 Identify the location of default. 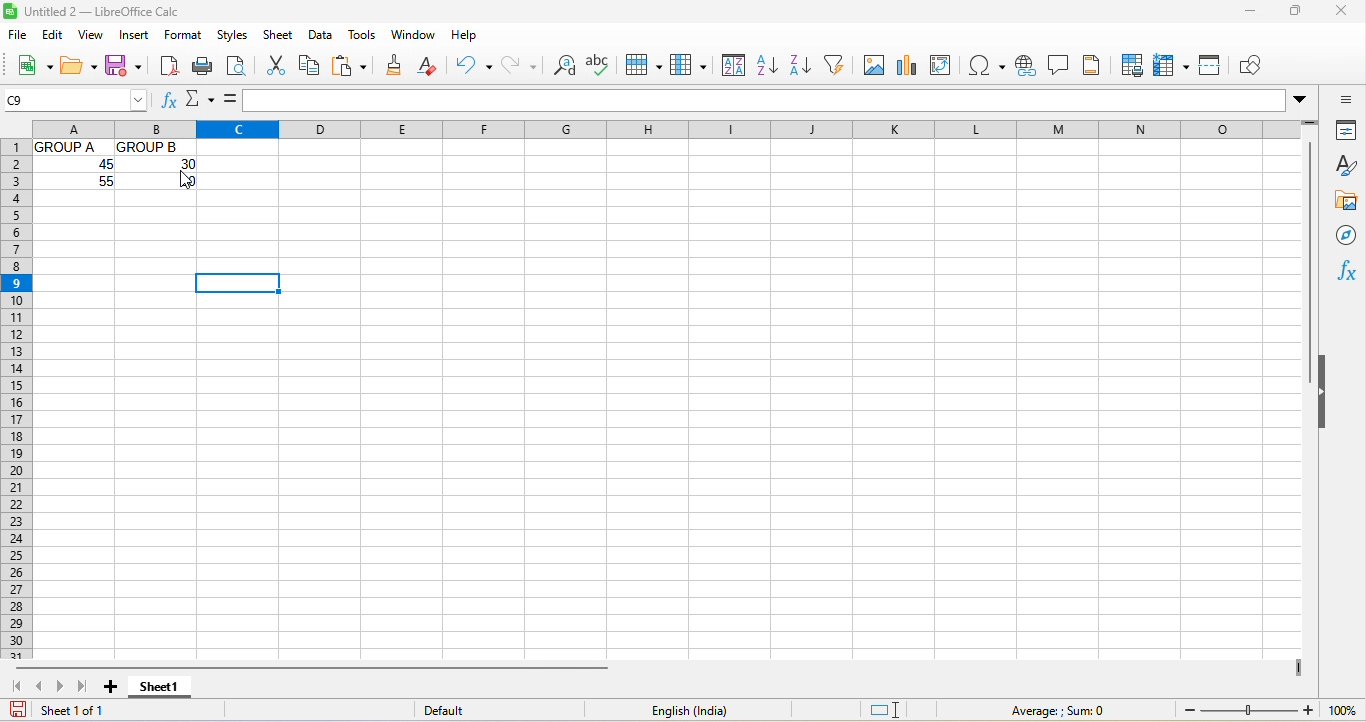
(469, 709).